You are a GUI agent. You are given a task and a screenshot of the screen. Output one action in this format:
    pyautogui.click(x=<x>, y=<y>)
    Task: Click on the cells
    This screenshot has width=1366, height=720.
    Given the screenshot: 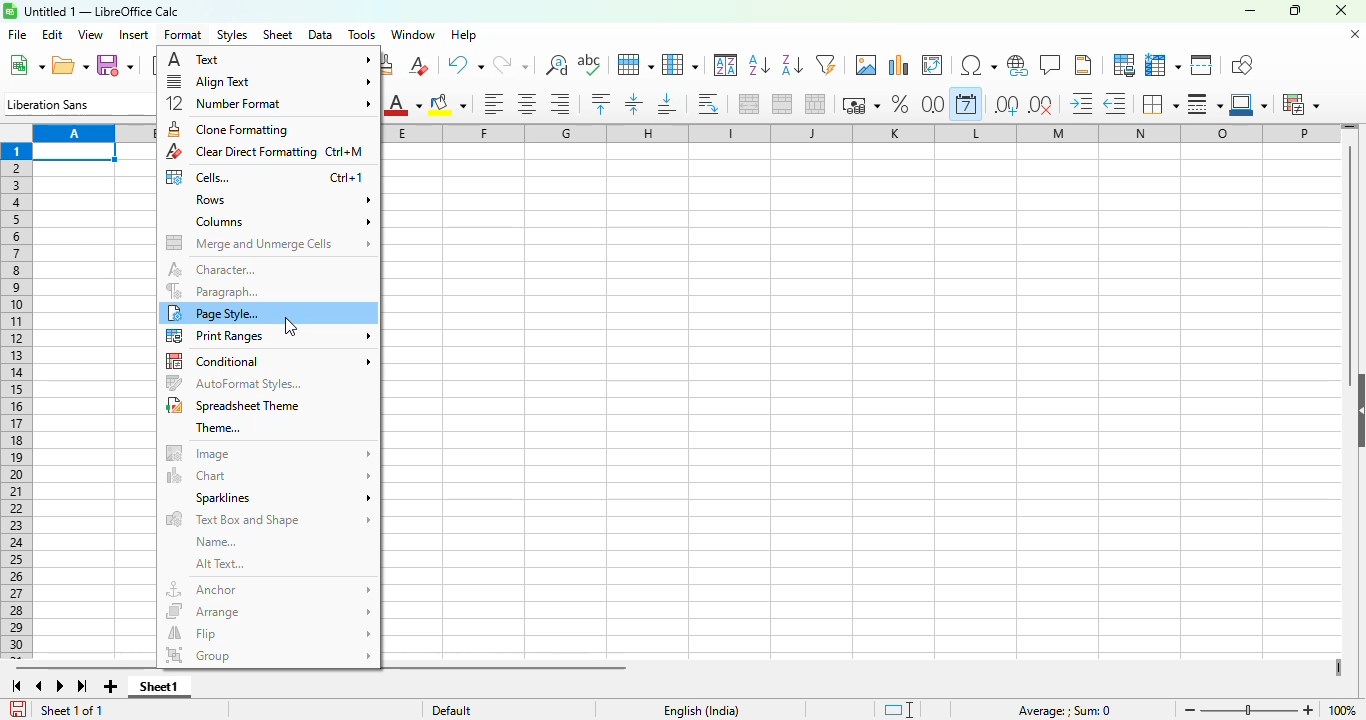 What is the action you would take?
    pyautogui.click(x=266, y=177)
    